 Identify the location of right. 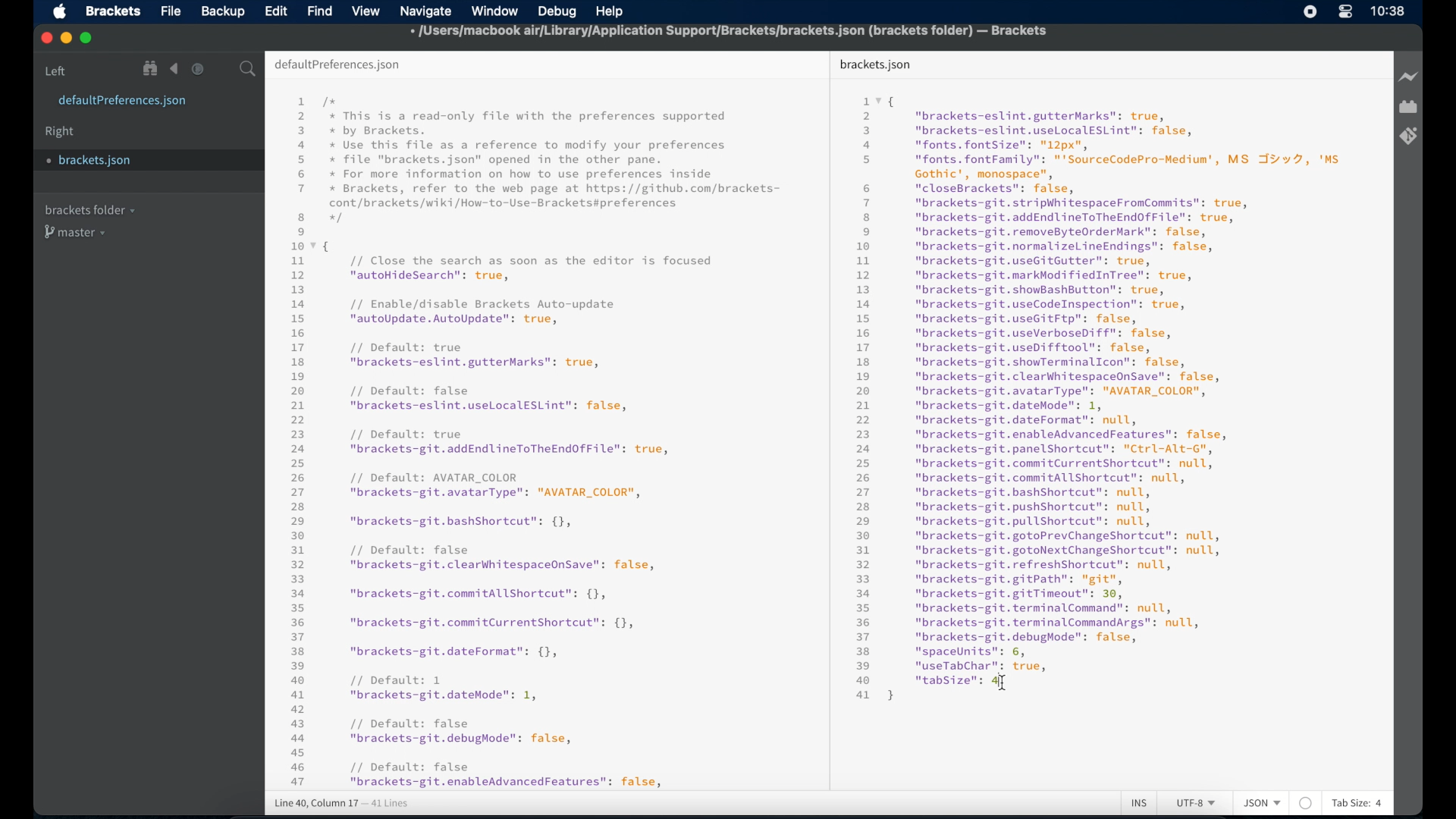
(60, 132).